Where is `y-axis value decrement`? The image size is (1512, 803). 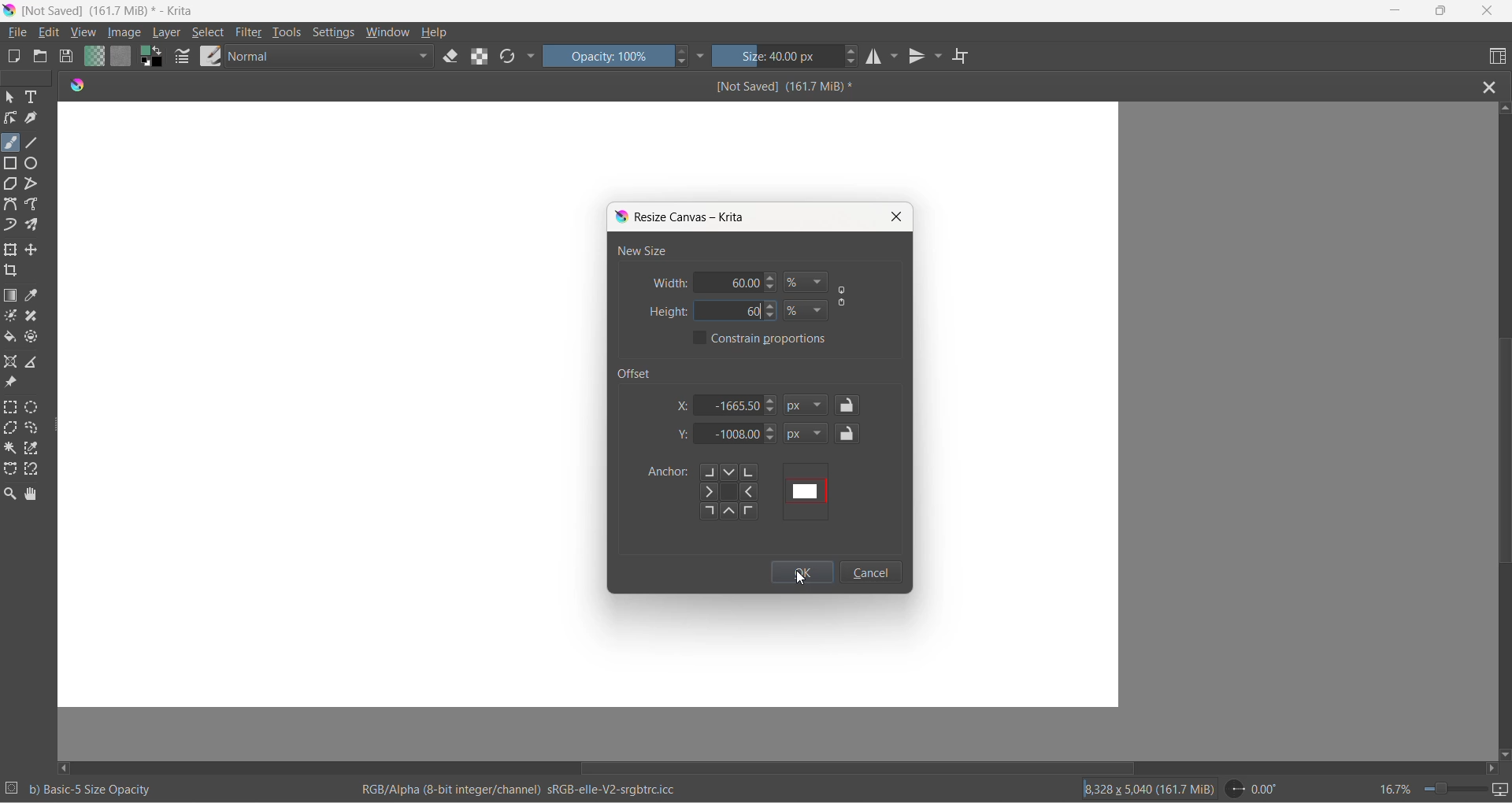 y-axis value decrement is located at coordinates (772, 442).